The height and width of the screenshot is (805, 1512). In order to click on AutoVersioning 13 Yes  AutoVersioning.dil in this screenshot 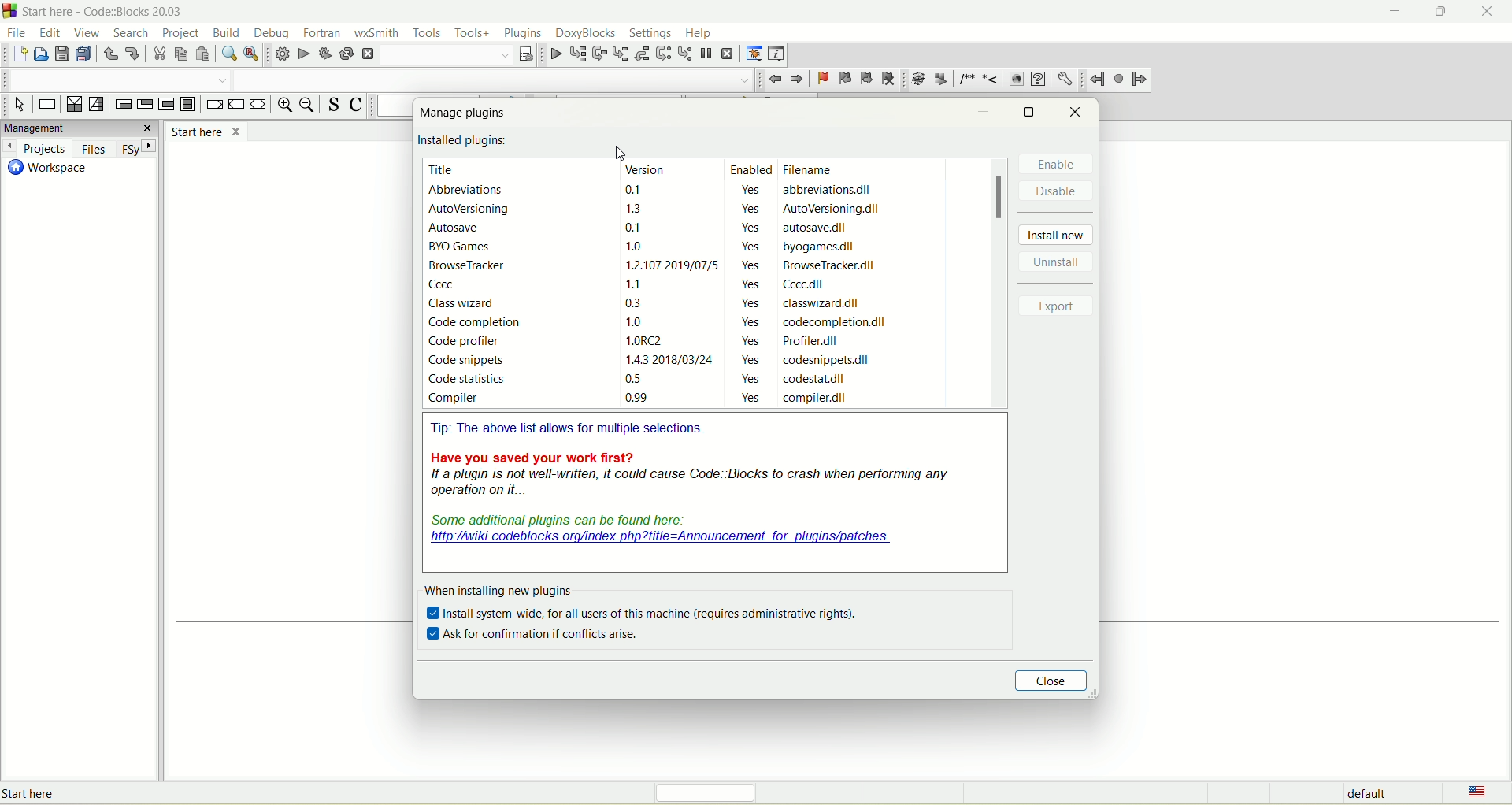, I will do `click(657, 210)`.